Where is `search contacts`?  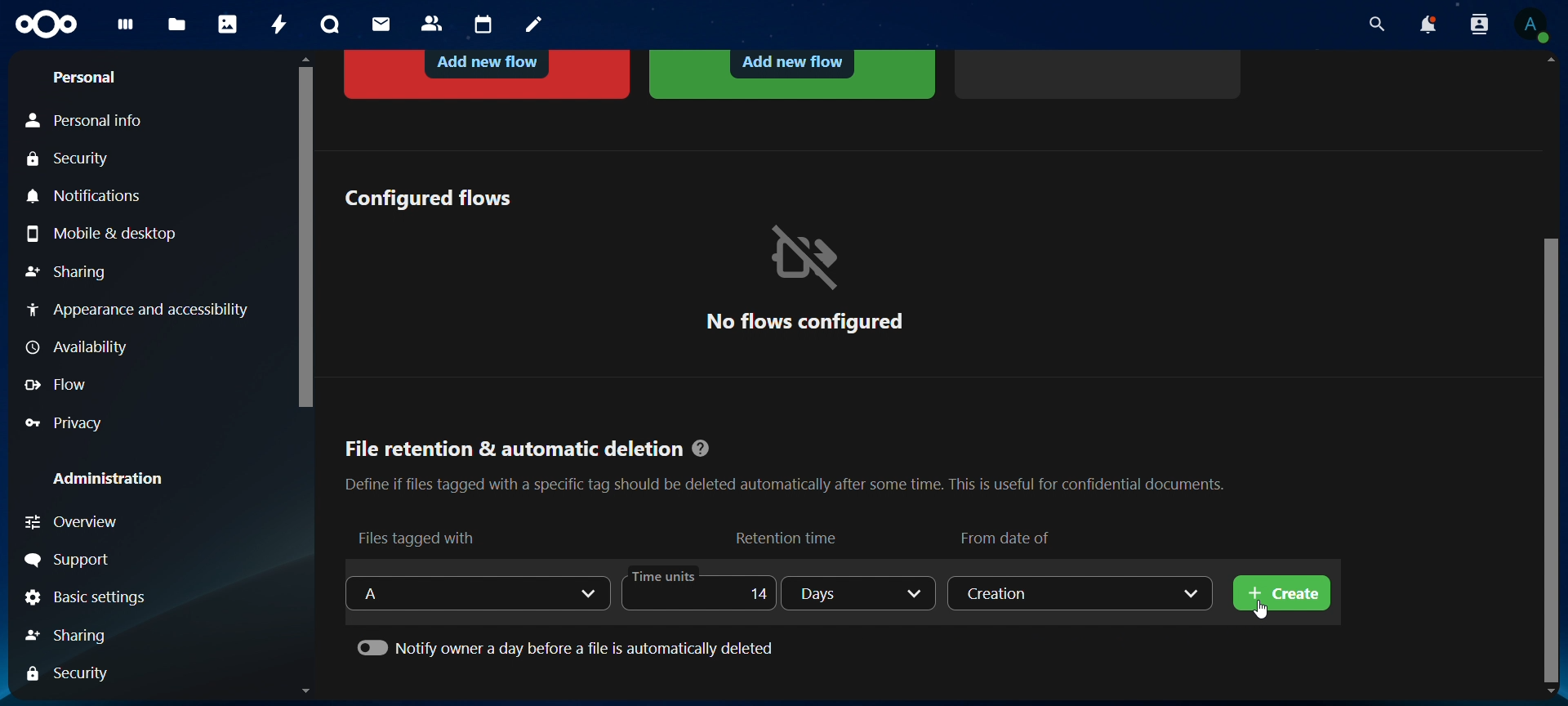
search contacts is located at coordinates (1483, 25).